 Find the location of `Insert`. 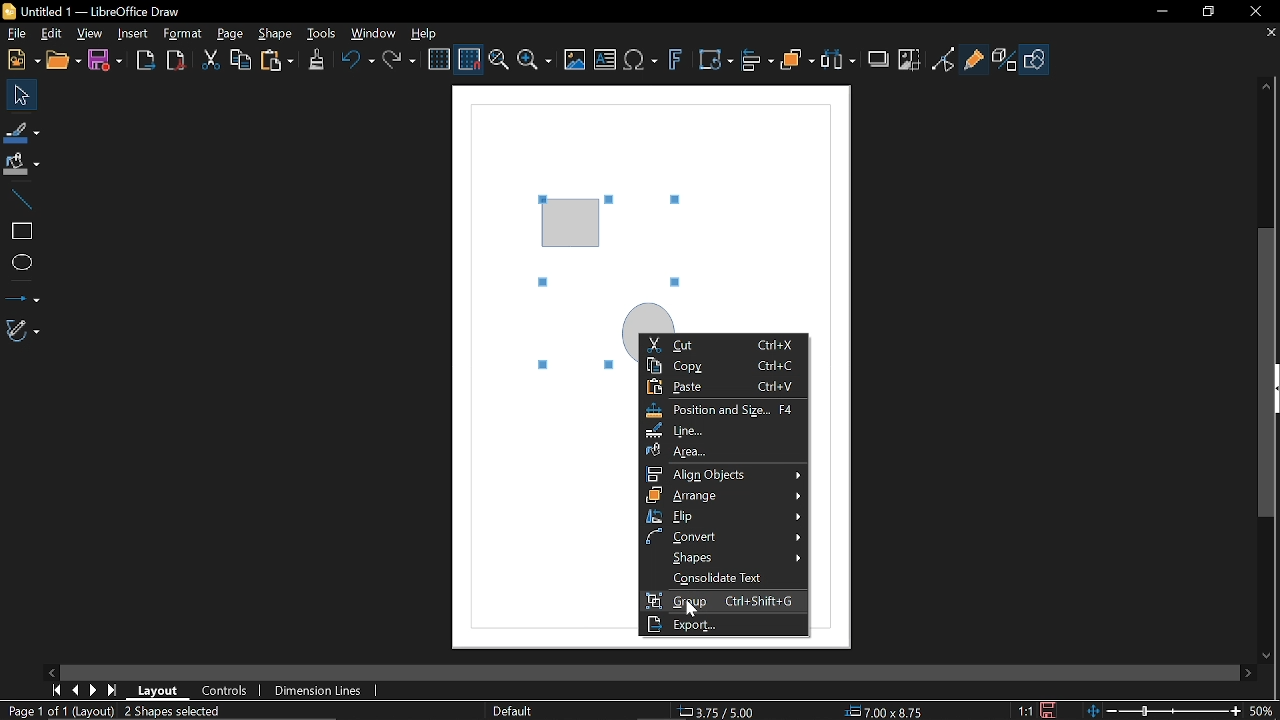

Insert is located at coordinates (132, 35).